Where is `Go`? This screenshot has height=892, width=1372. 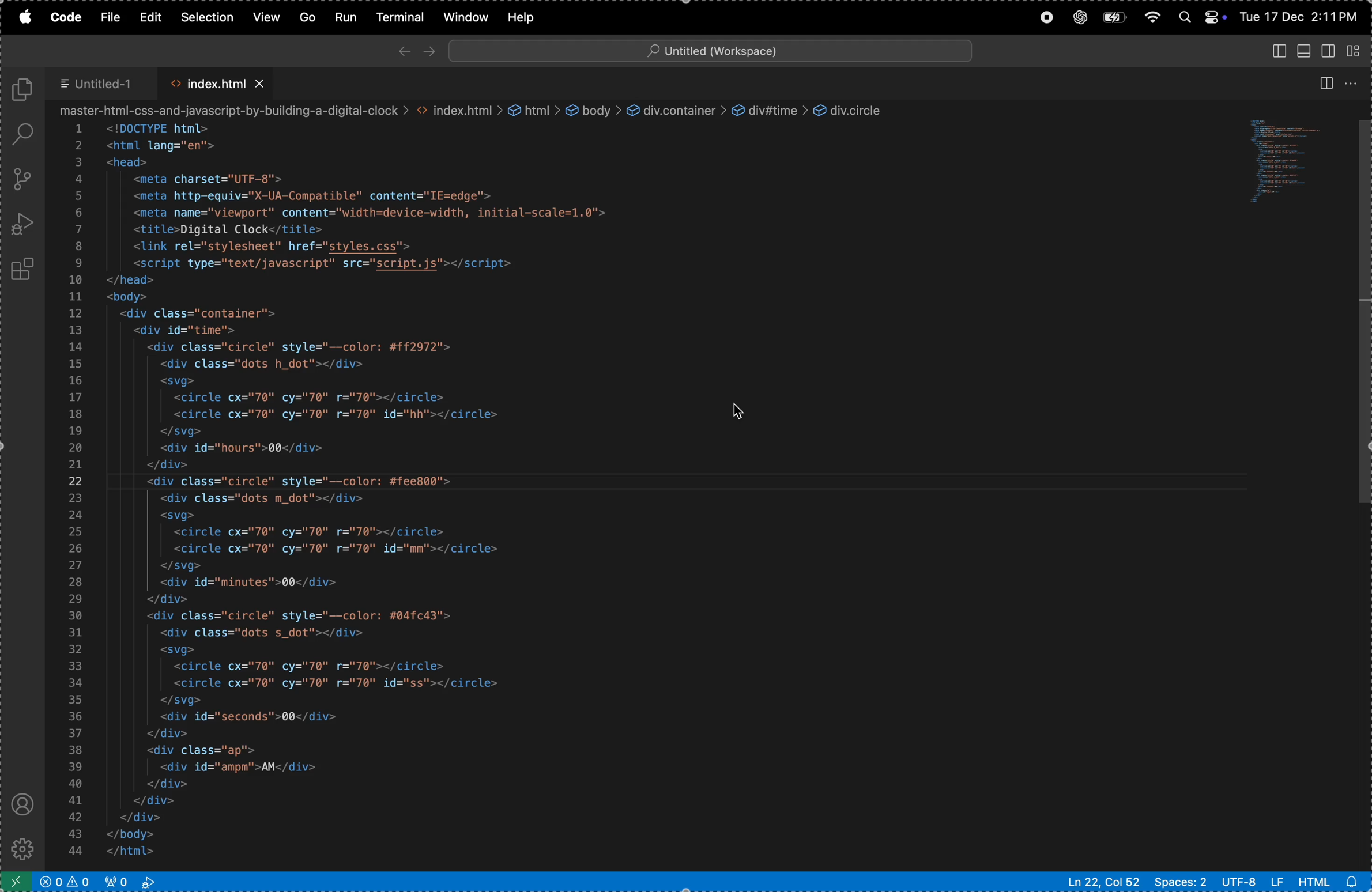
Go is located at coordinates (308, 18).